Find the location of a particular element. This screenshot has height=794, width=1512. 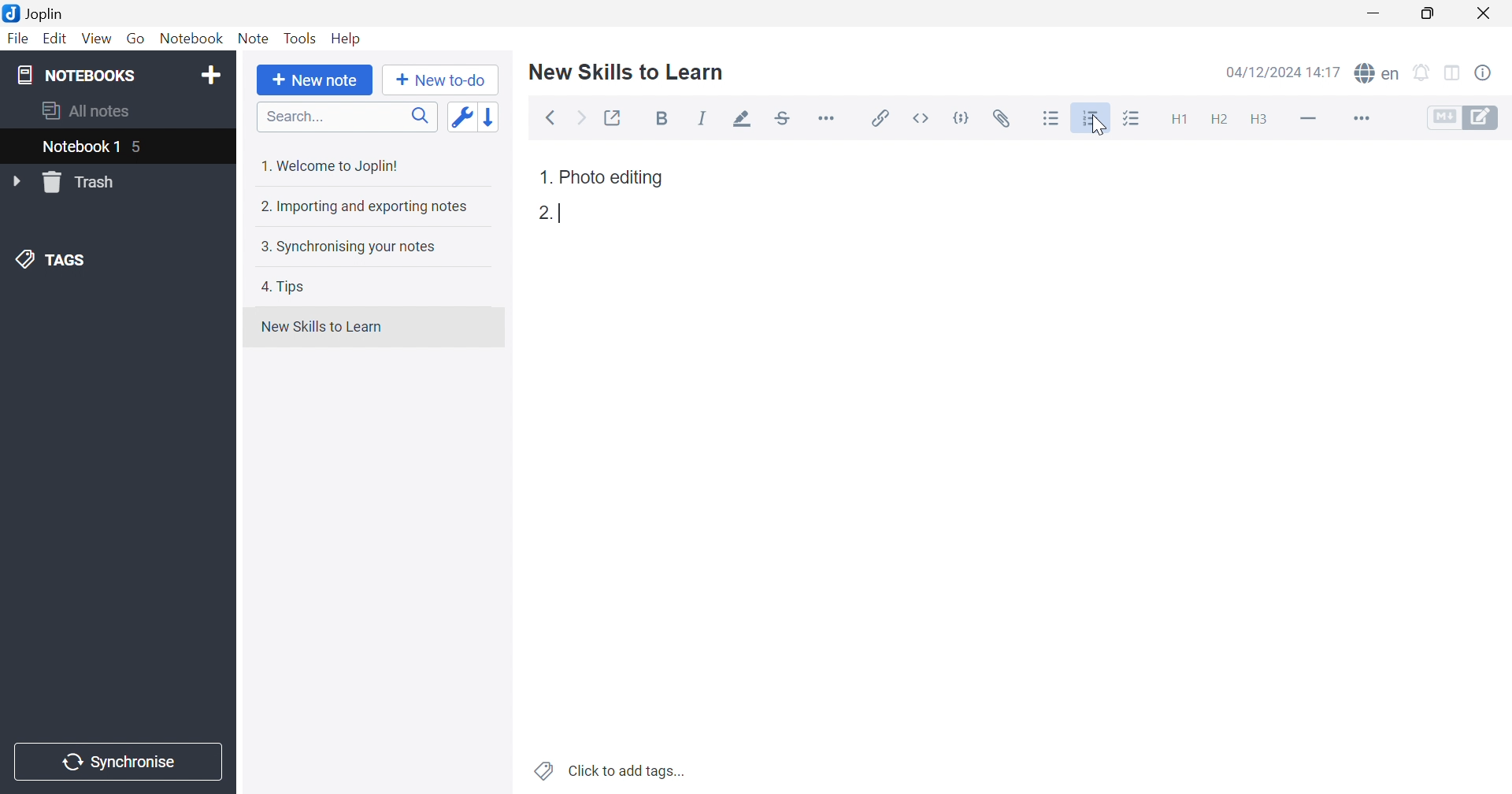

Edit is located at coordinates (53, 39).